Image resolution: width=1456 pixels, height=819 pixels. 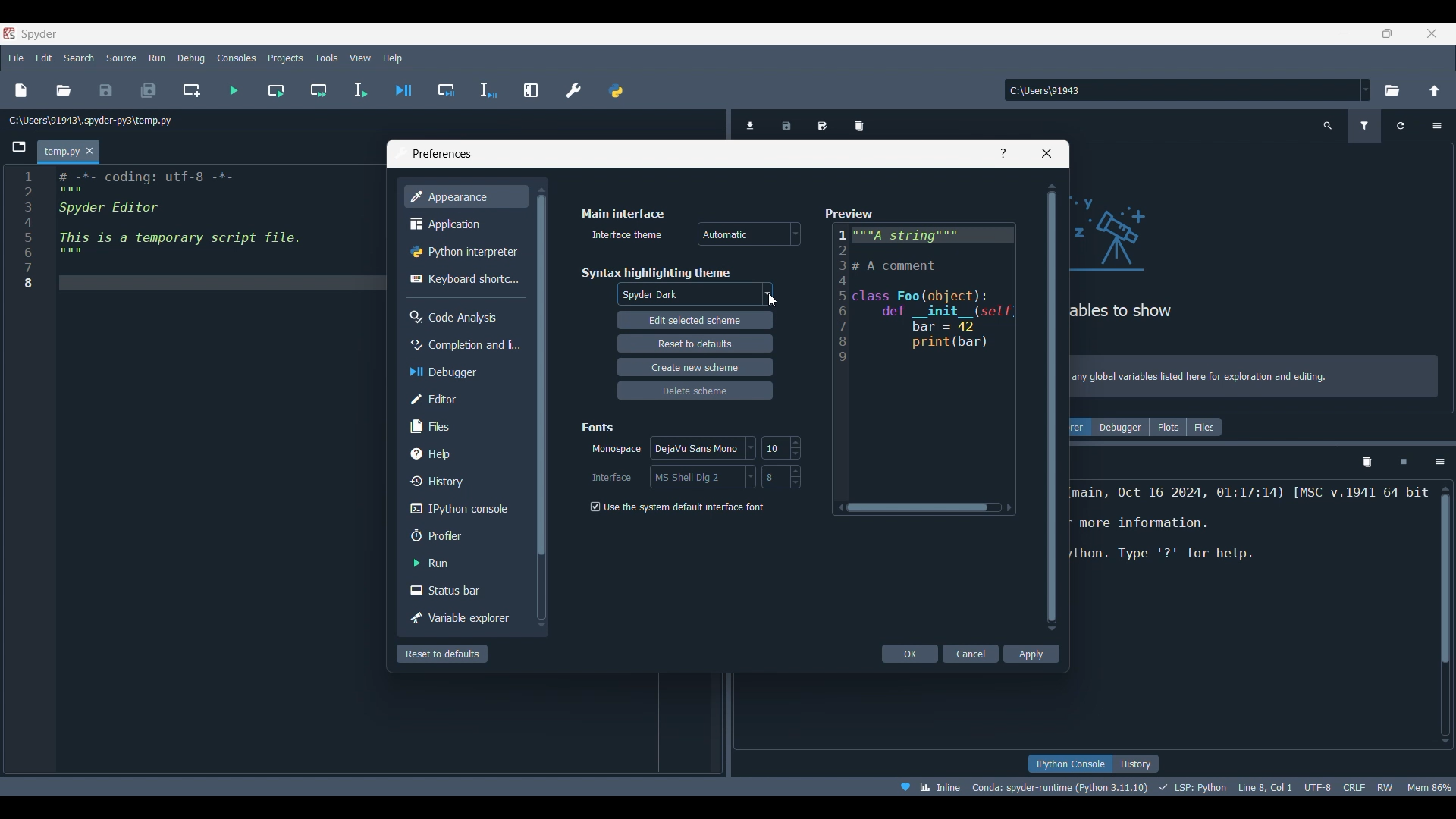 I want to click on IPython console, so click(x=1069, y=764).